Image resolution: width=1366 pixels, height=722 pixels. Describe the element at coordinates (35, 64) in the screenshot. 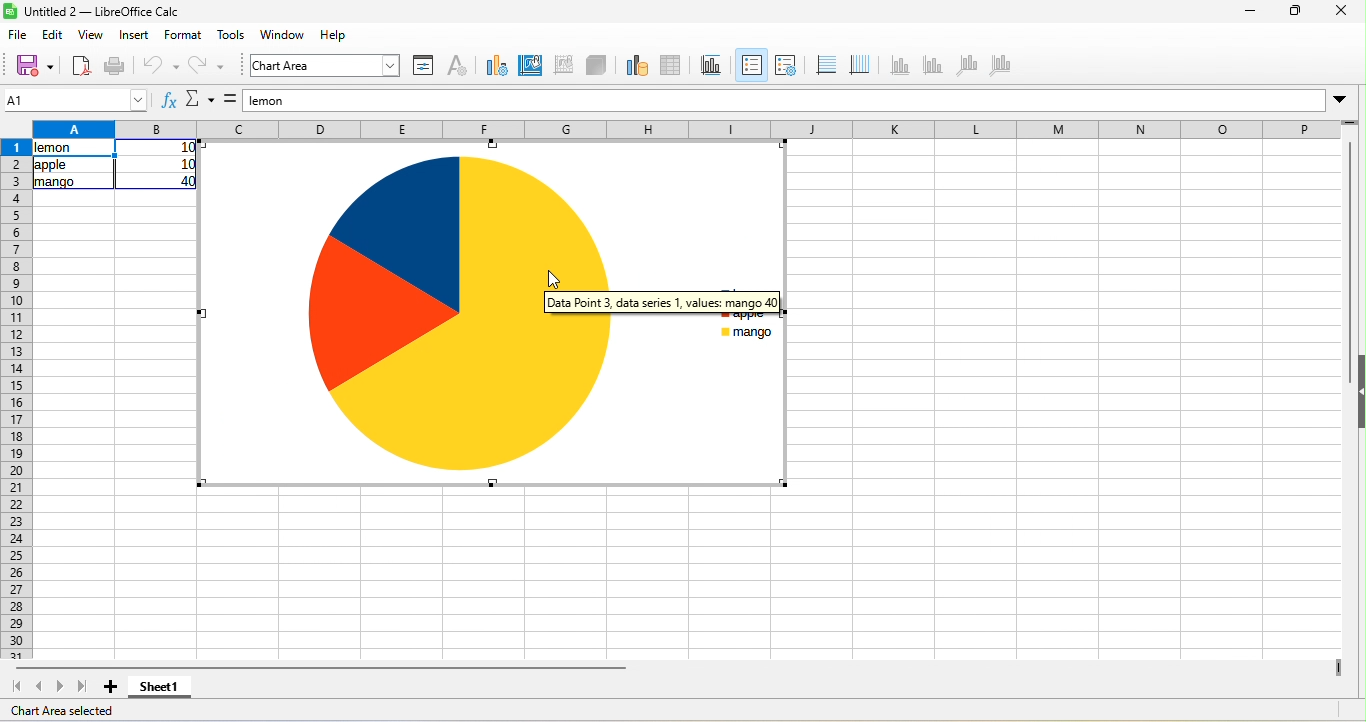

I see `save` at that location.